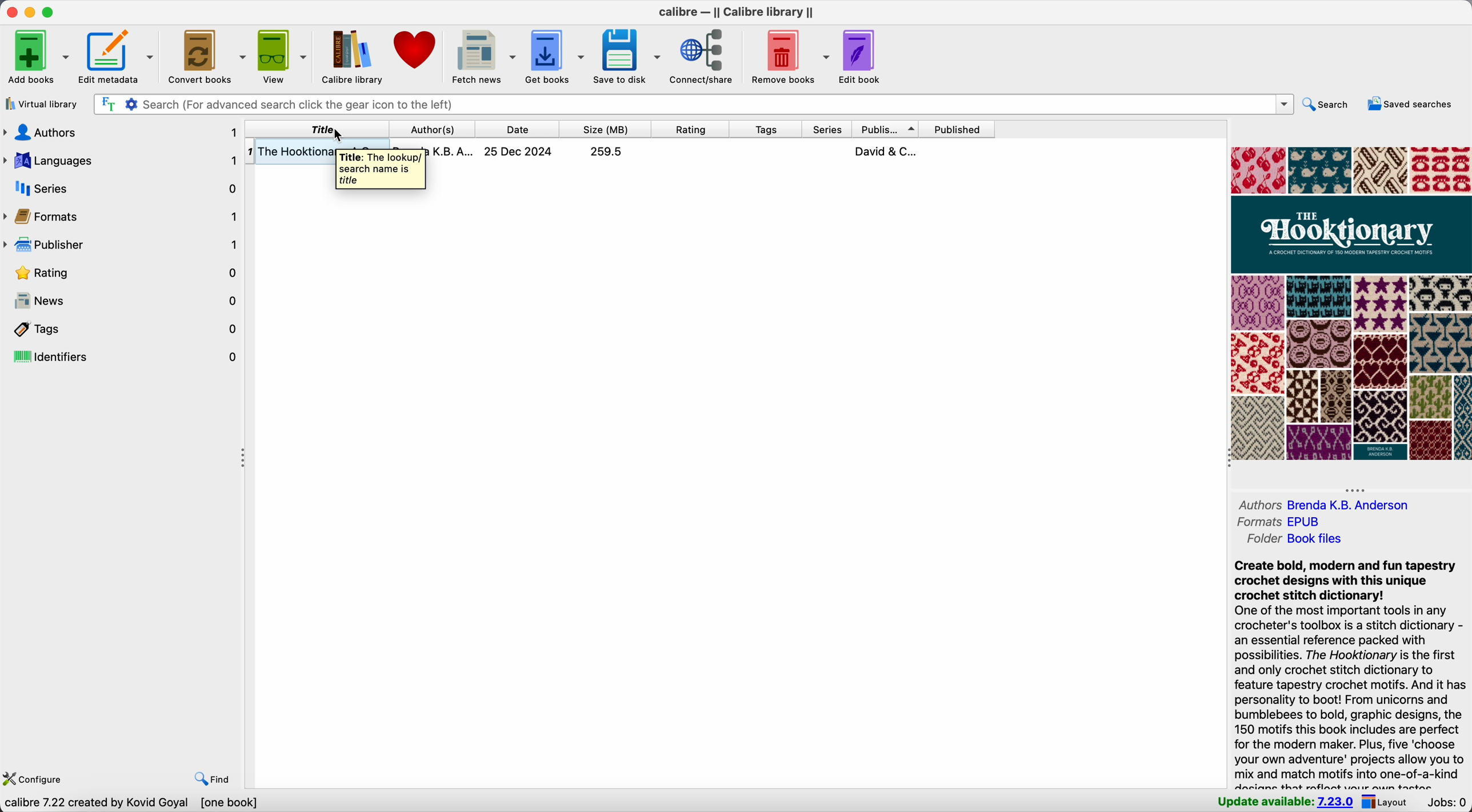 The width and height of the screenshot is (1472, 812). I want to click on David & C, so click(887, 151).